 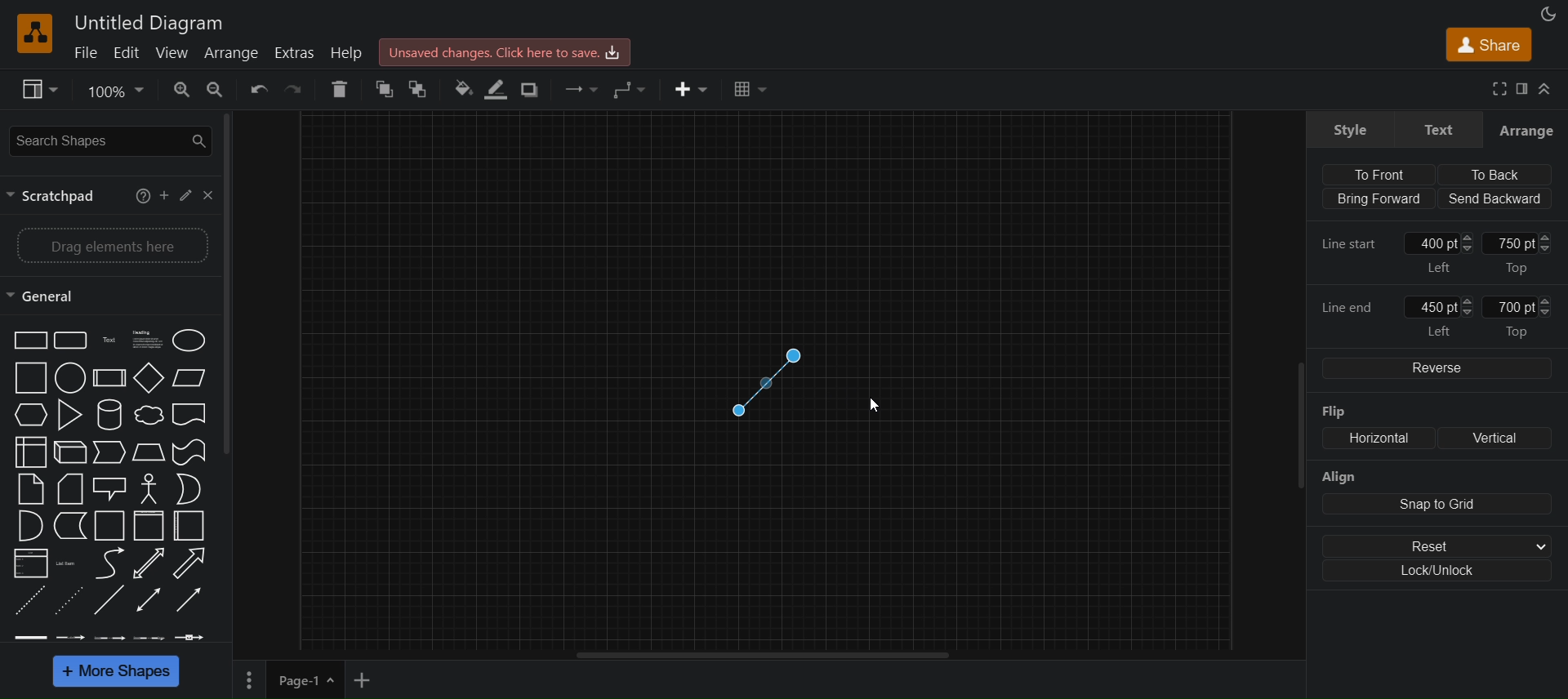 I want to click on bring forward, so click(x=1375, y=199).